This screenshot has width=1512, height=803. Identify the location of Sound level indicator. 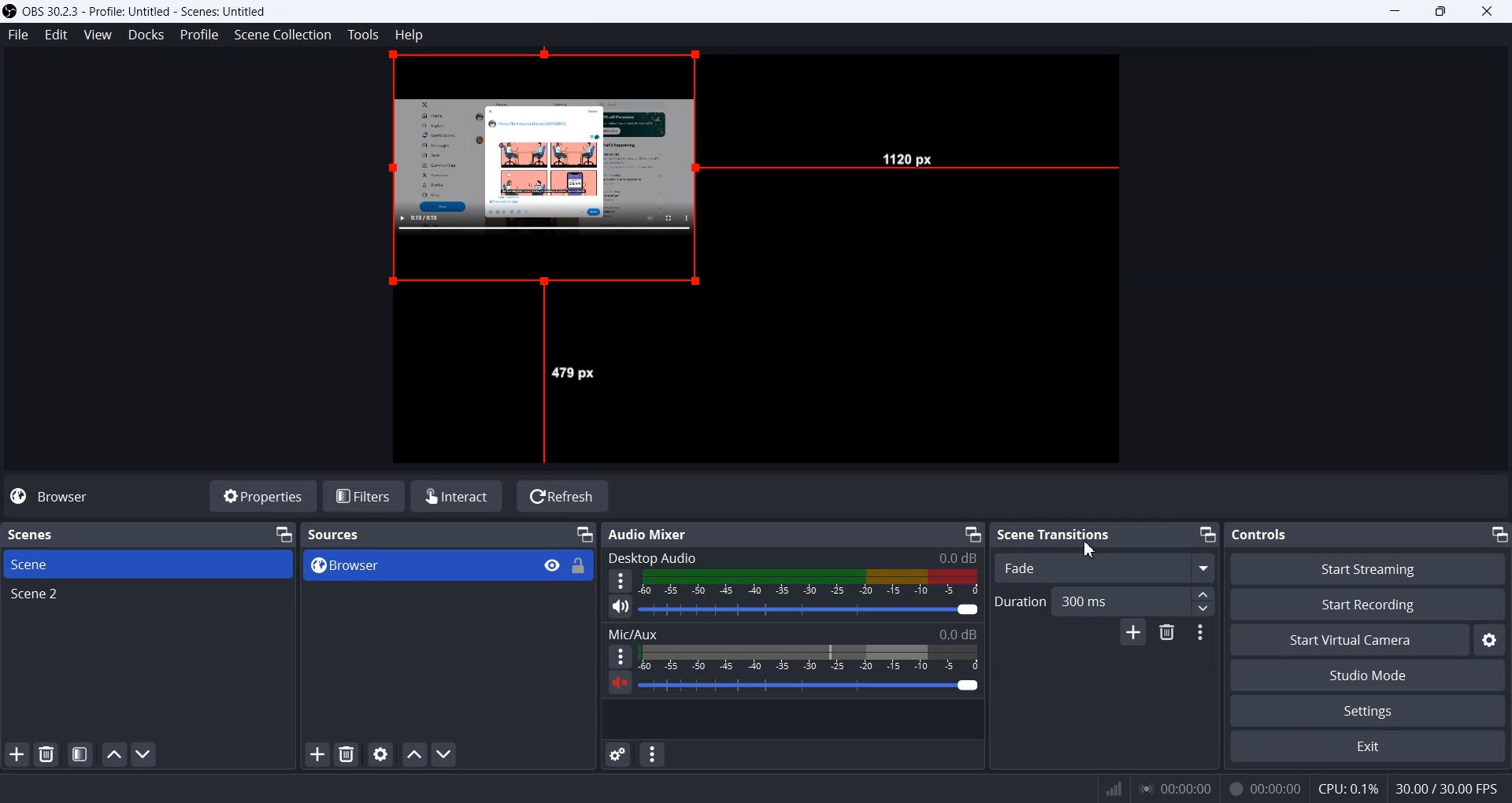
(810, 657).